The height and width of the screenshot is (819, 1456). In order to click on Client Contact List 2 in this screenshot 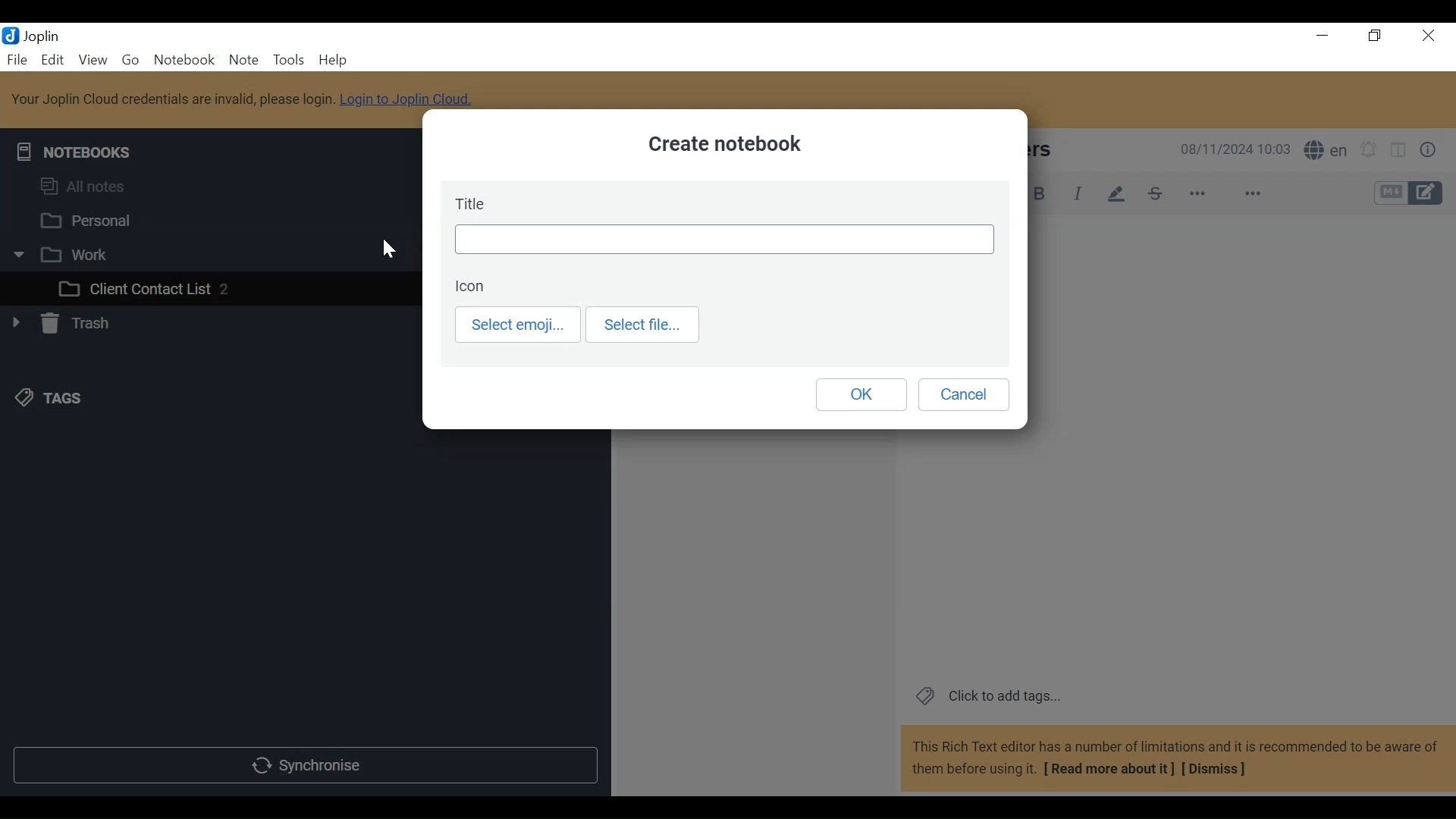, I will do `click(146, 289)`.